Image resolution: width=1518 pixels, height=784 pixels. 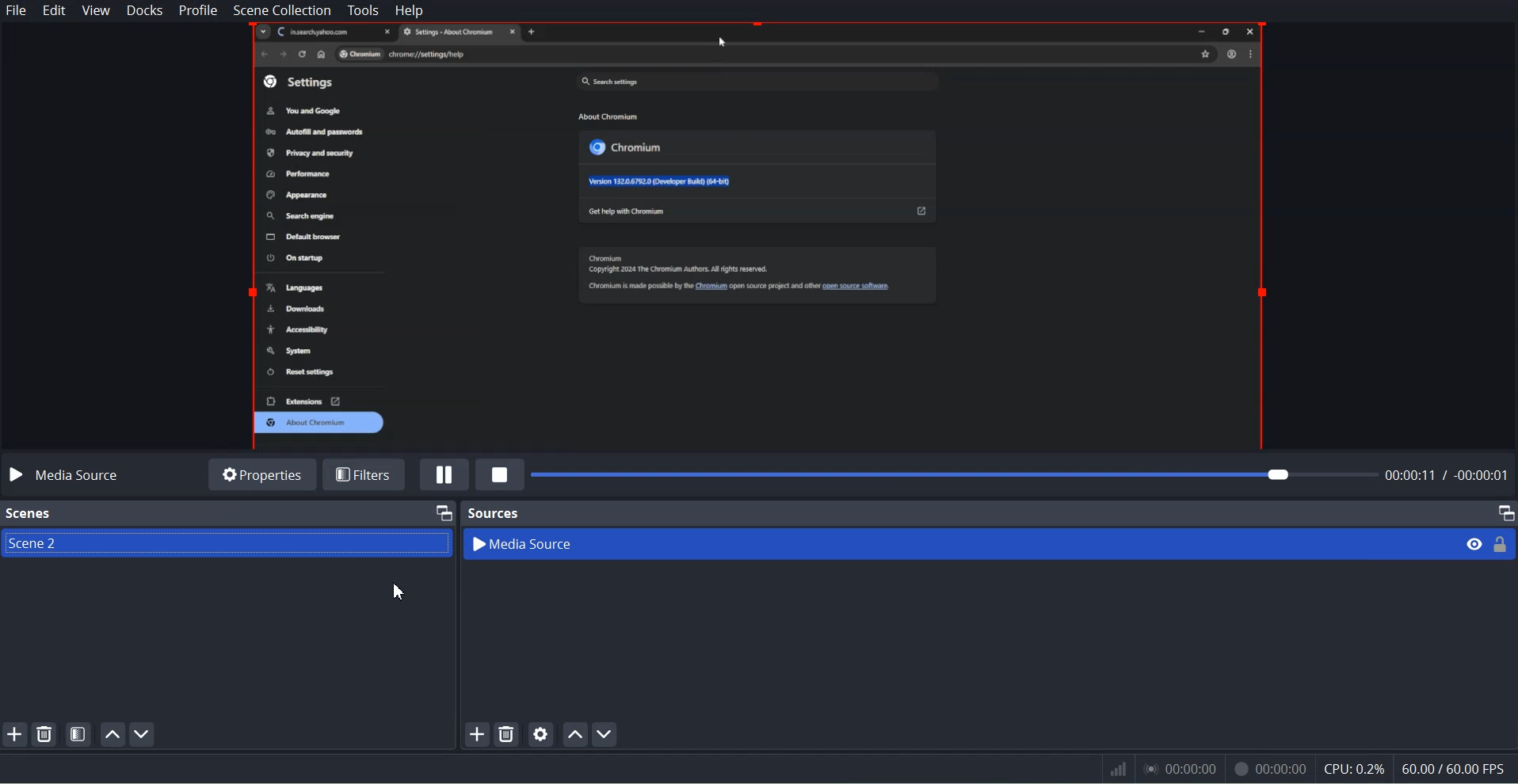 I want to click on File time adjuster, so click(x=1023, y=474).